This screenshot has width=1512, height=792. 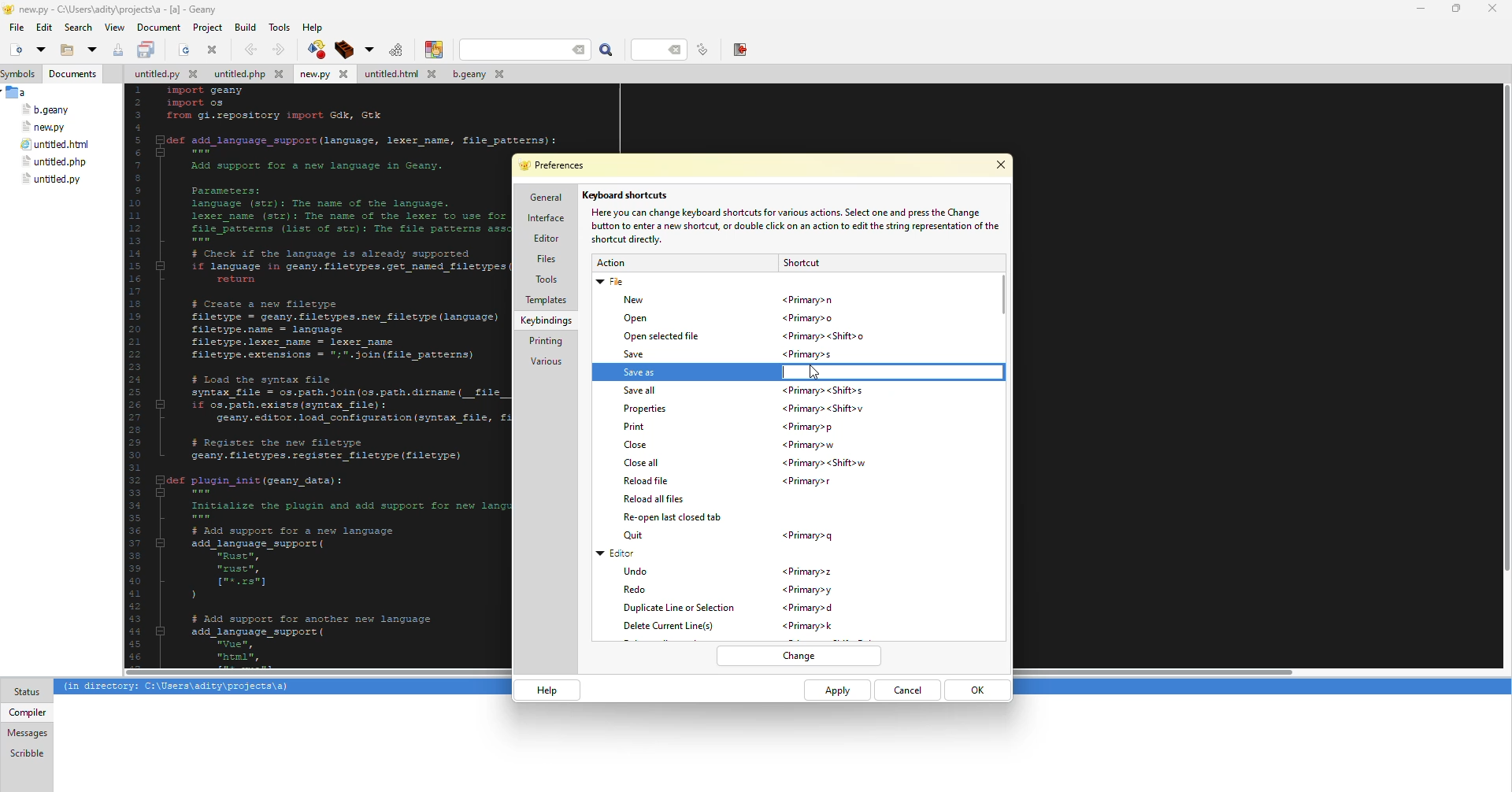 What do you see at coordinates (807, 427) in the screenshot?
I see `shortcut` at bounding box center [807, 427].